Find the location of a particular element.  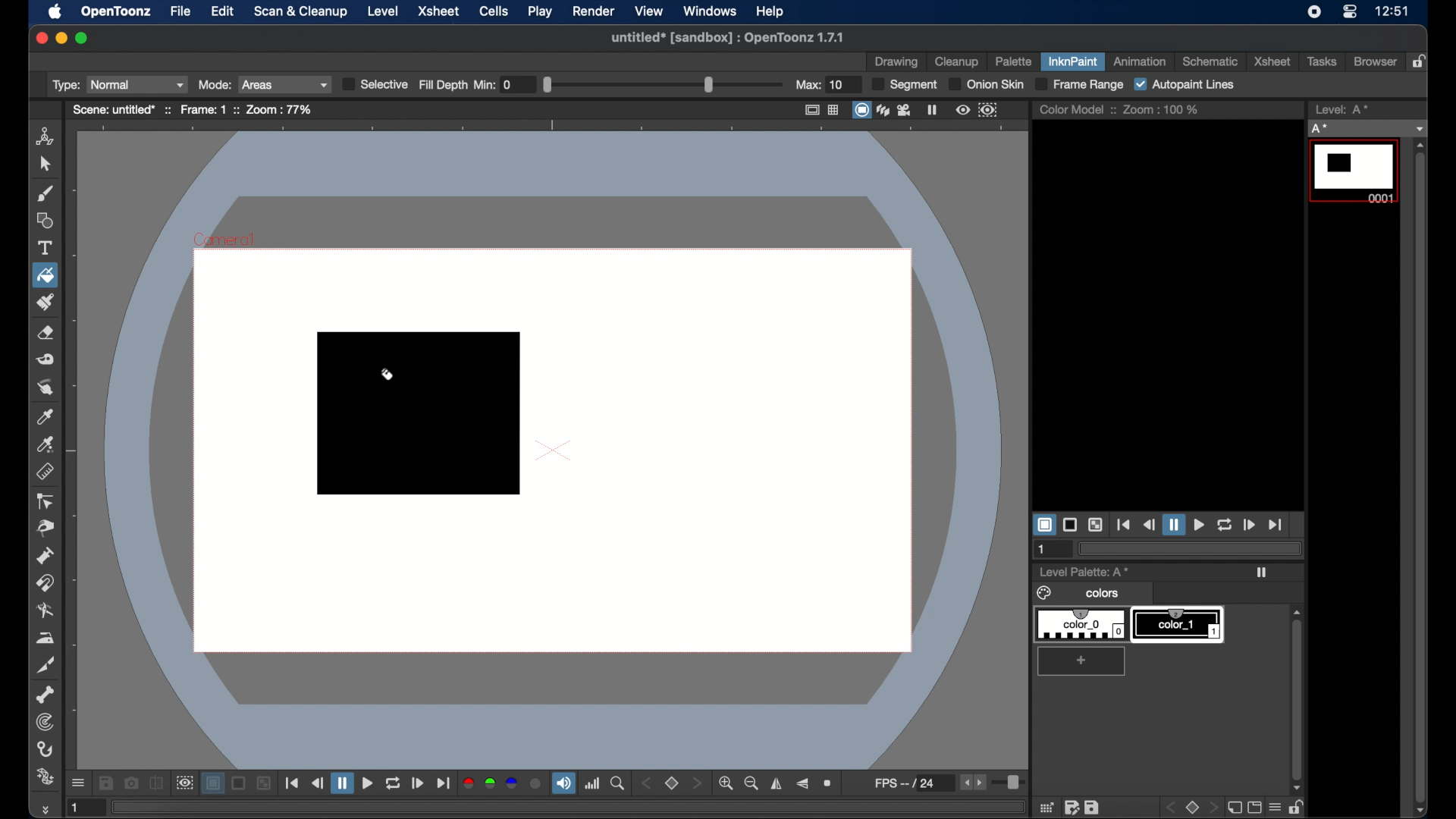

magnet tool is located at coordinates (45, 583).